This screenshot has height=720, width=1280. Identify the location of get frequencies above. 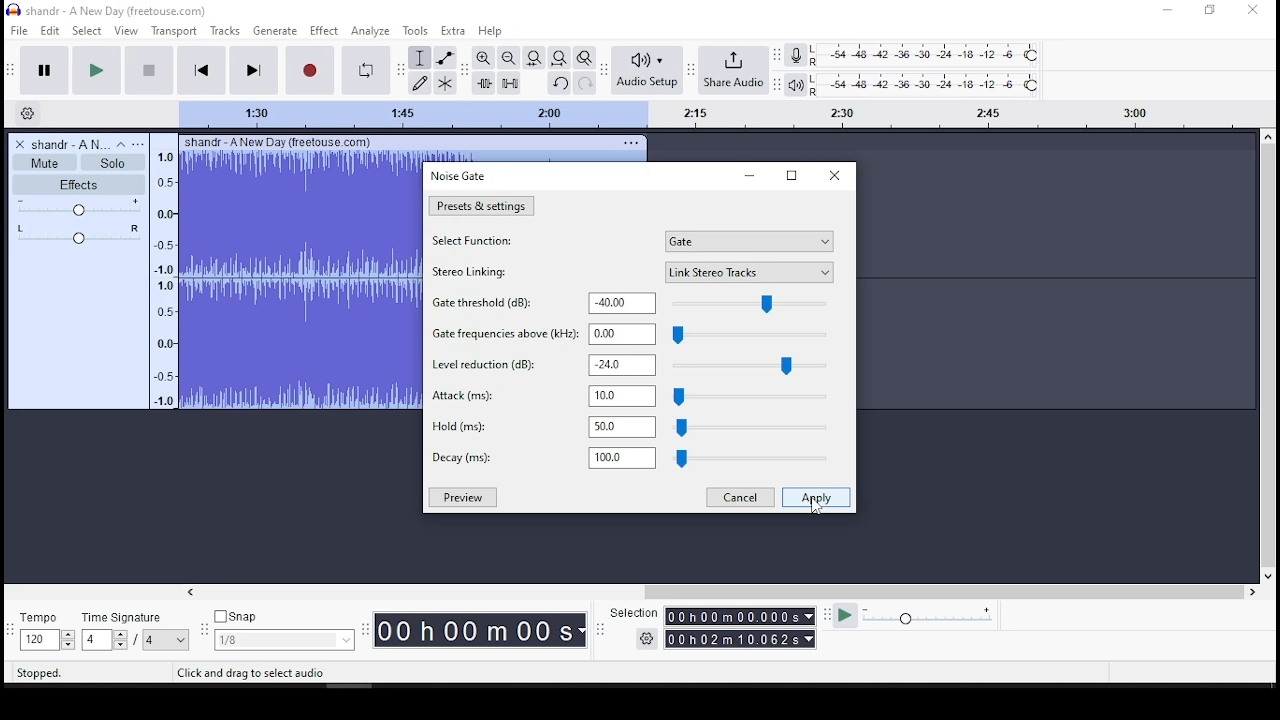
(634, 333).